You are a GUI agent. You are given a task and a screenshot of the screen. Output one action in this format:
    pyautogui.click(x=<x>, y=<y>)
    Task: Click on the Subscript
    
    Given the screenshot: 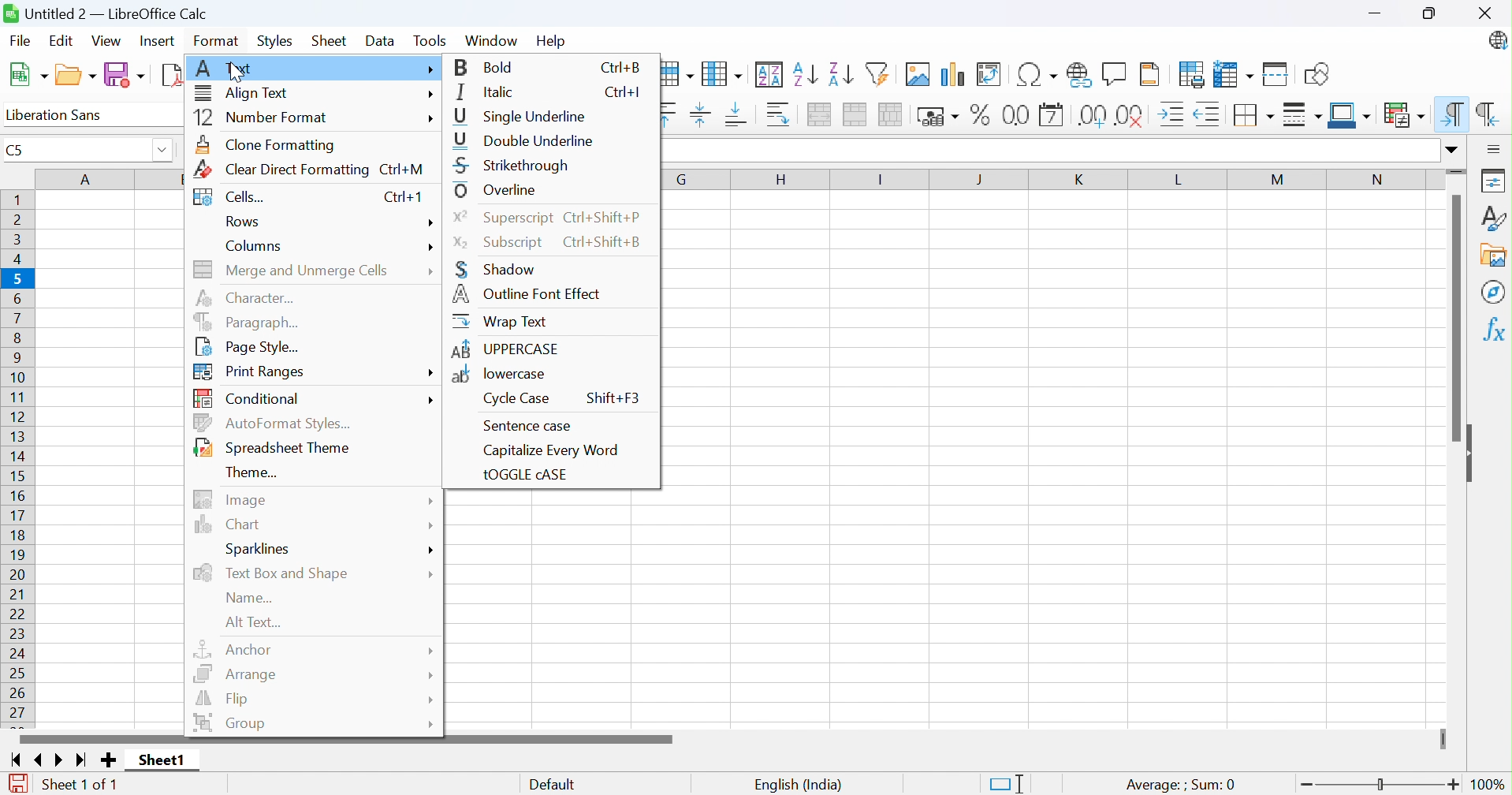 What is the action you would take?
    pyautogui.click(x=501, y=243)
    